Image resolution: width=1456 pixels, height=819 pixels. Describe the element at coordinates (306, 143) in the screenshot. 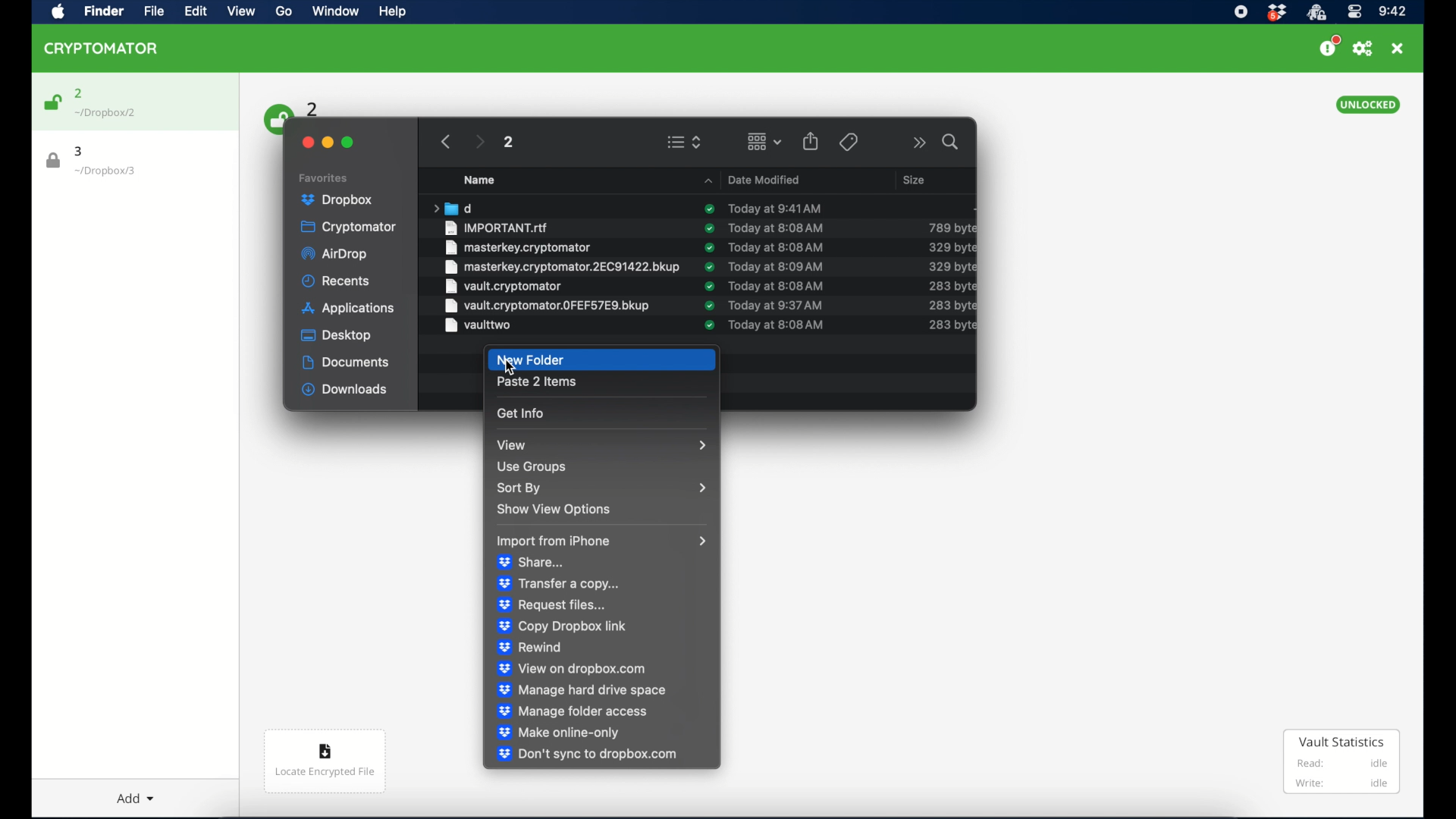

I see `close` at that location.